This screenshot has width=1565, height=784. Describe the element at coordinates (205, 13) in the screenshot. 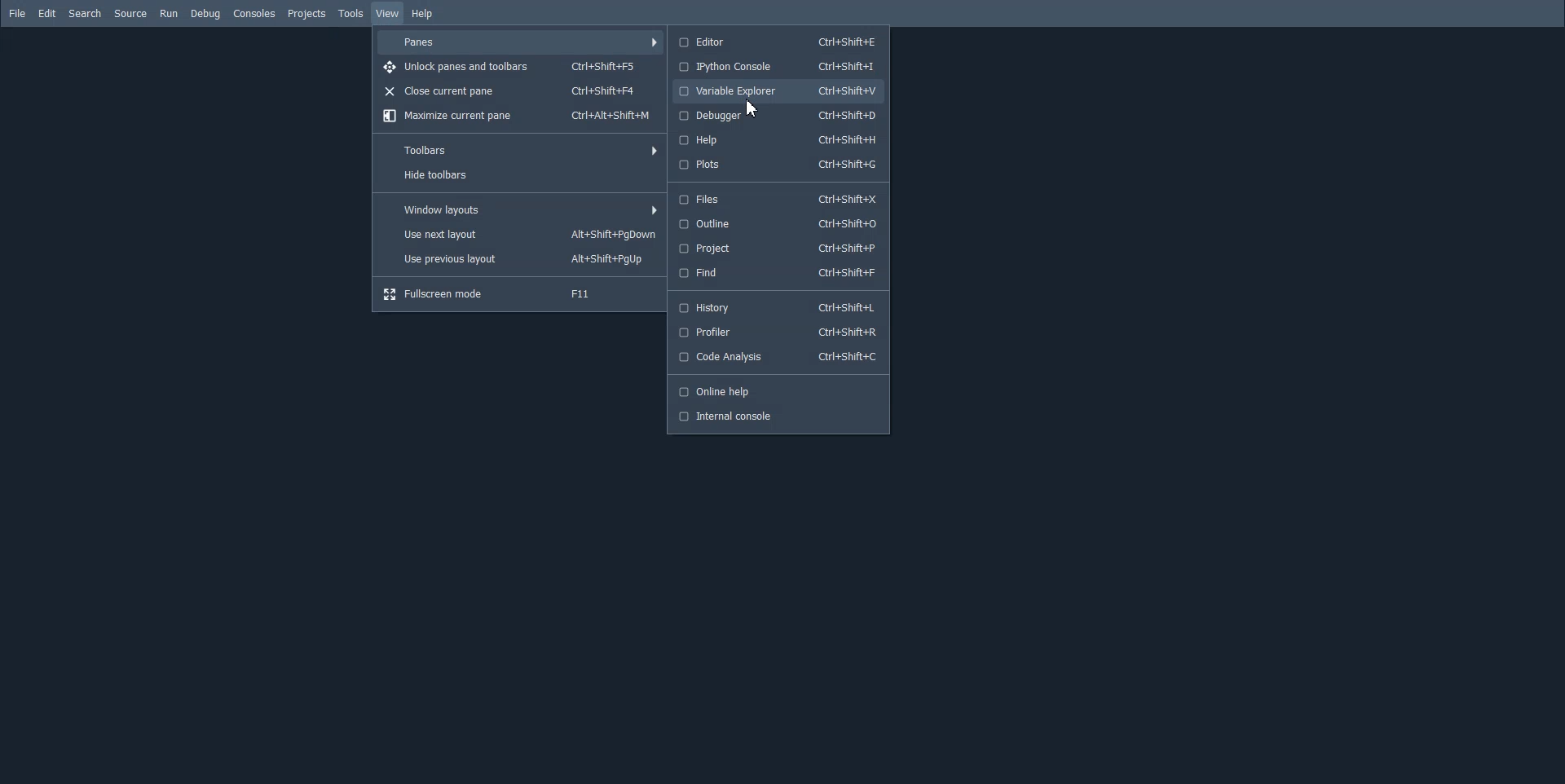

I see `Debug` at that location.